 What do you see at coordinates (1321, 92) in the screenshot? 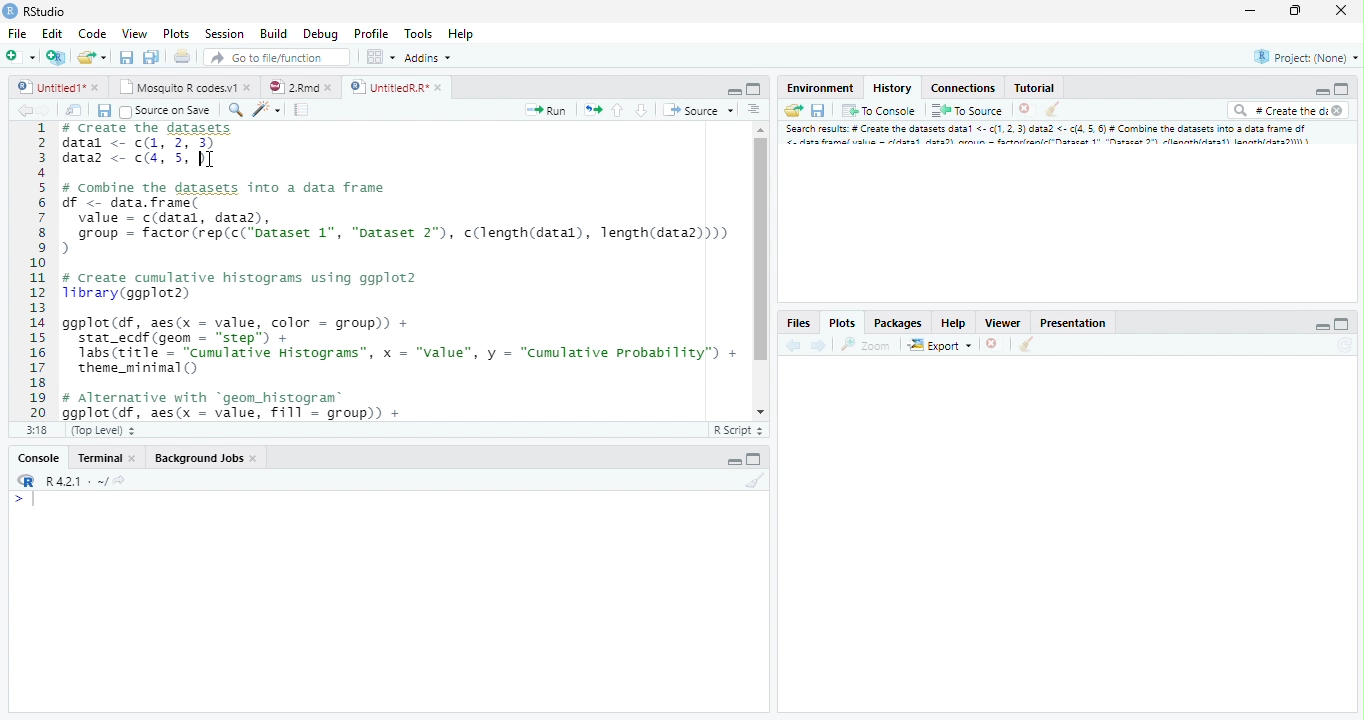
I see `Minimize` at bounding box center [1321, 92].